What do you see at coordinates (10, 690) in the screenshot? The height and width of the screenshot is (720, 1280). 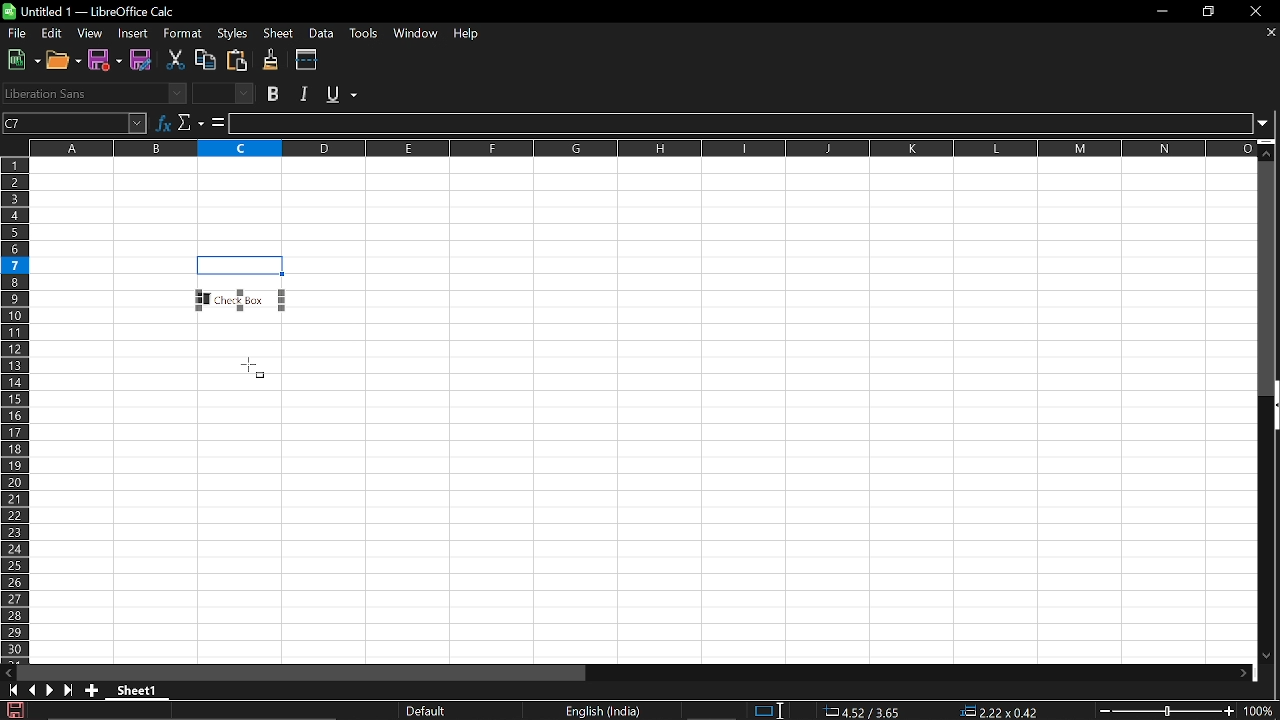 I see `First sheet` at bounding box center [10, 690].